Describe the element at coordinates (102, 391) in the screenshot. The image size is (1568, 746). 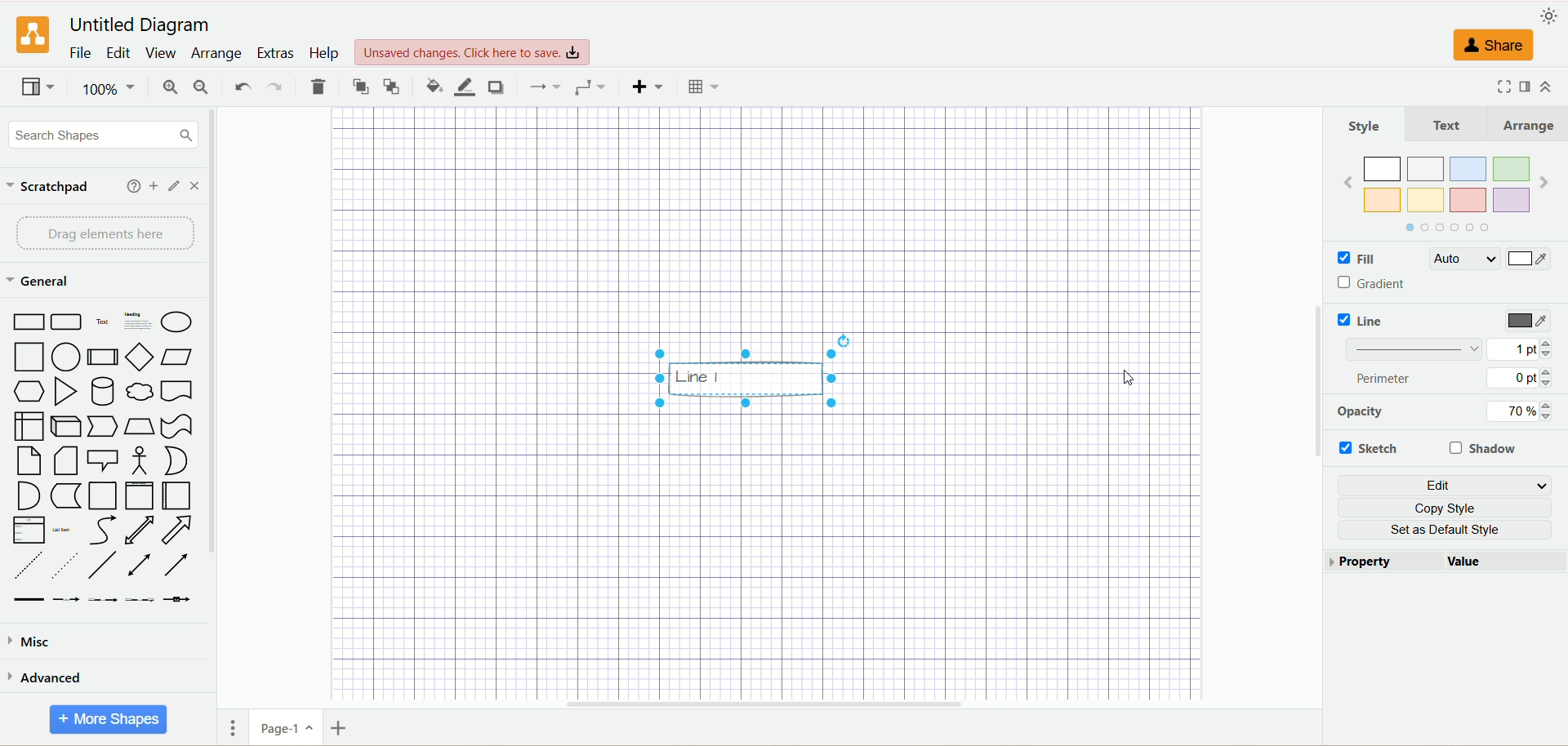
I see `Cylinder` at that location.